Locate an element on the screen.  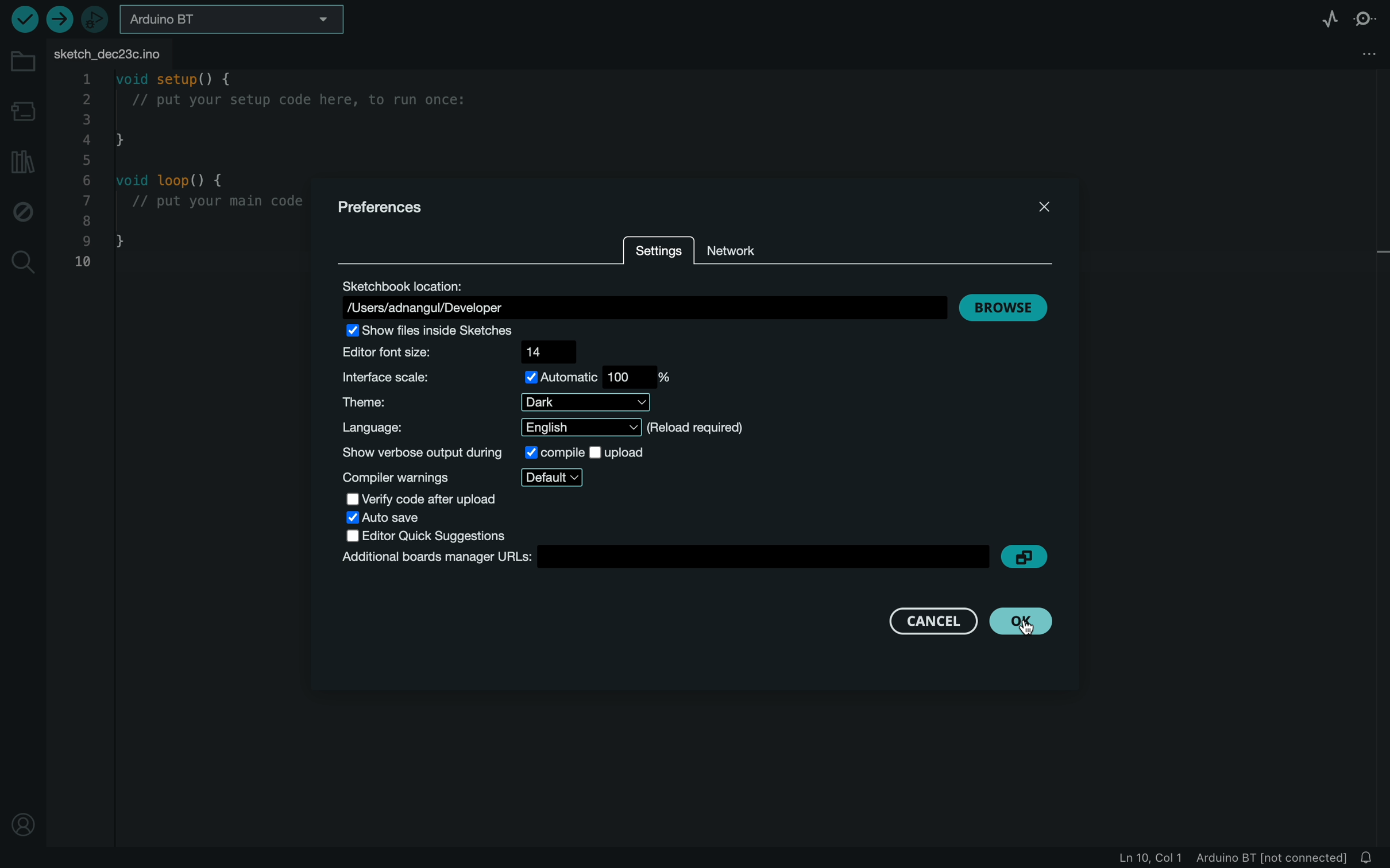
click to confirm is located at coordinates (1021, 622).